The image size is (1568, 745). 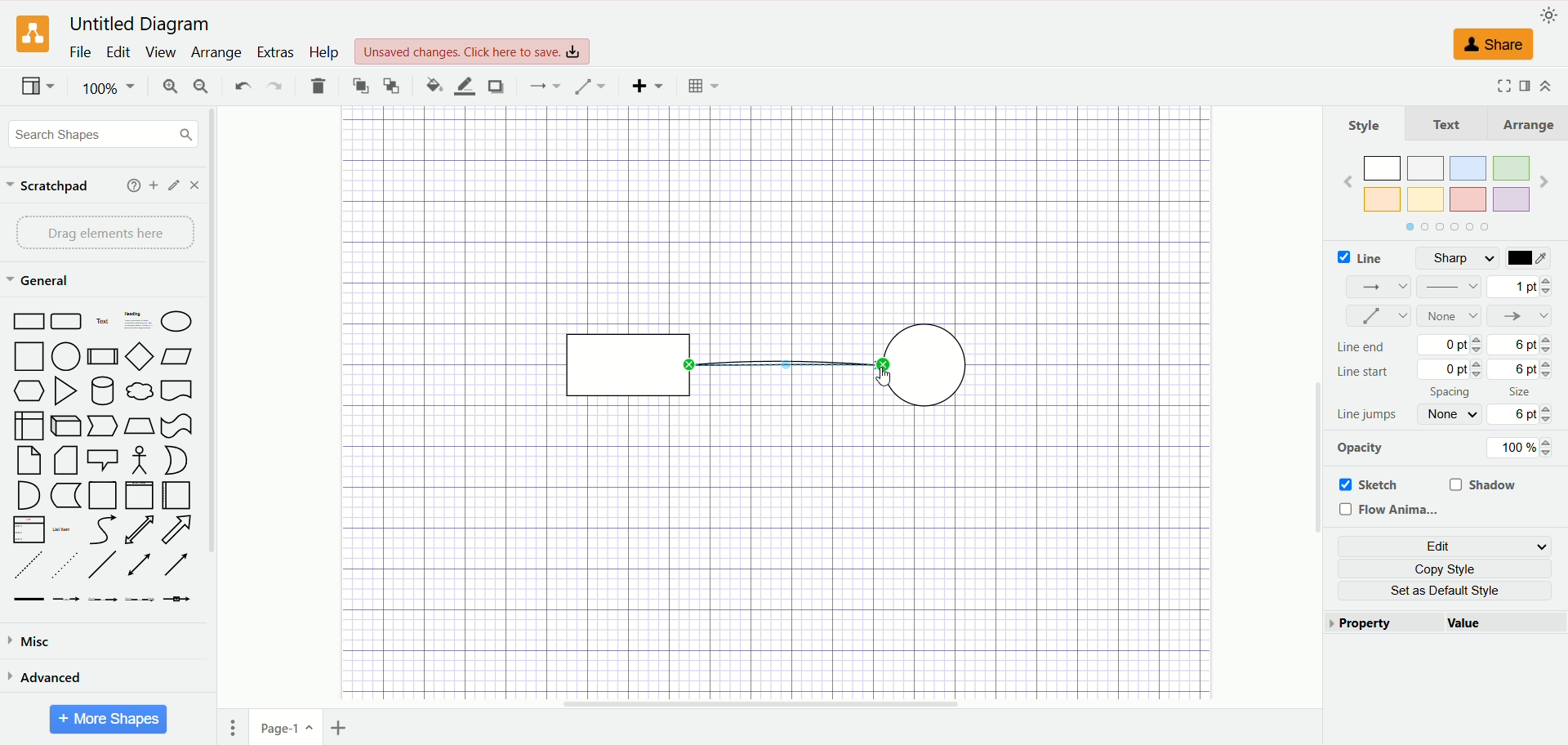 I want to click on Previous, so click(x=1347, y=185).